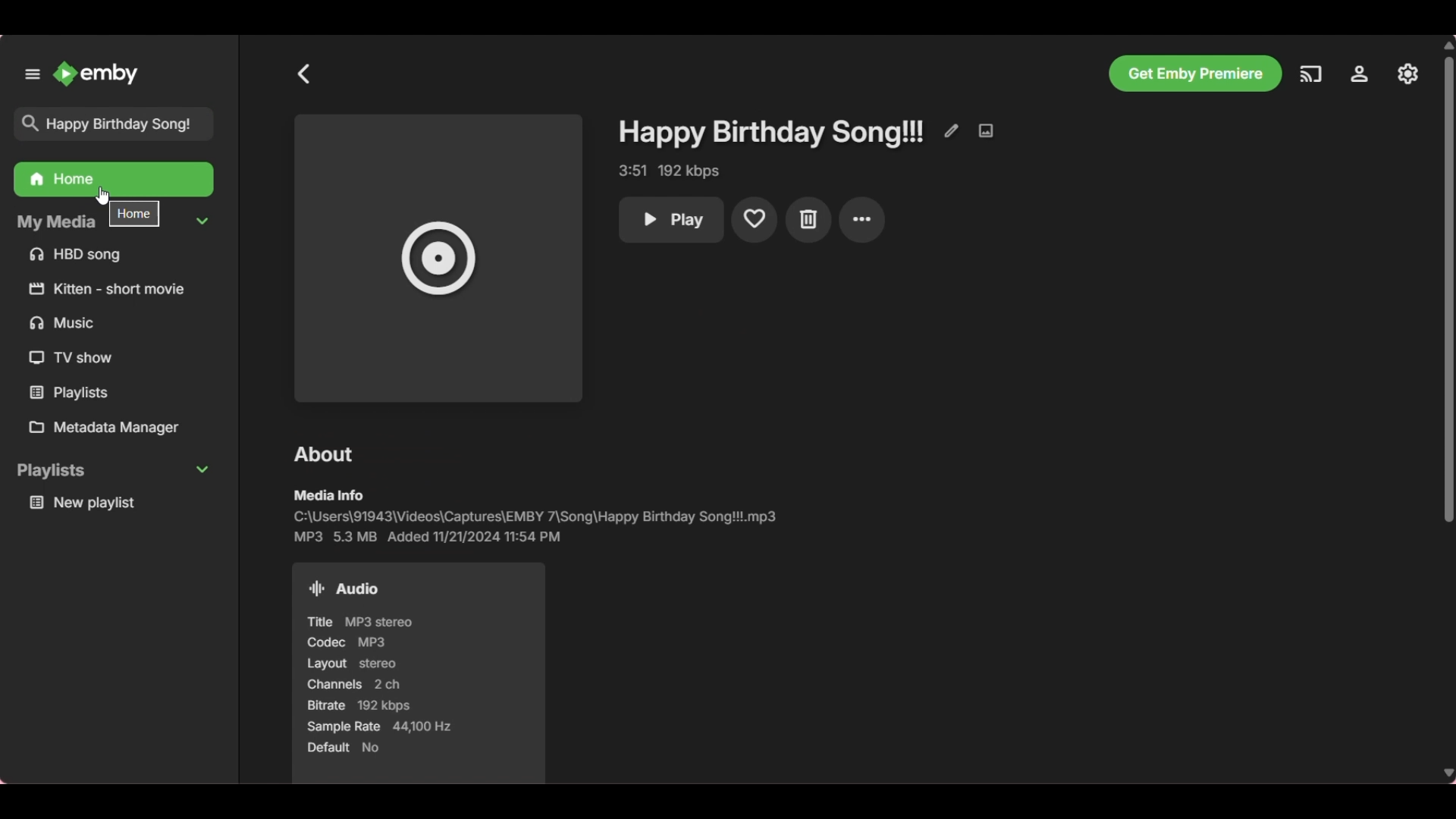 The image size is (1456, 819). Describe the element at coordinates (381, 692) in the screenshot. I see `Title MP3 stereo
Codec MP3

Layout stereo
Channels 2 ch
Bitrate 192 kbps
Sample Rate 44,100 Hz
Default No` at that location.